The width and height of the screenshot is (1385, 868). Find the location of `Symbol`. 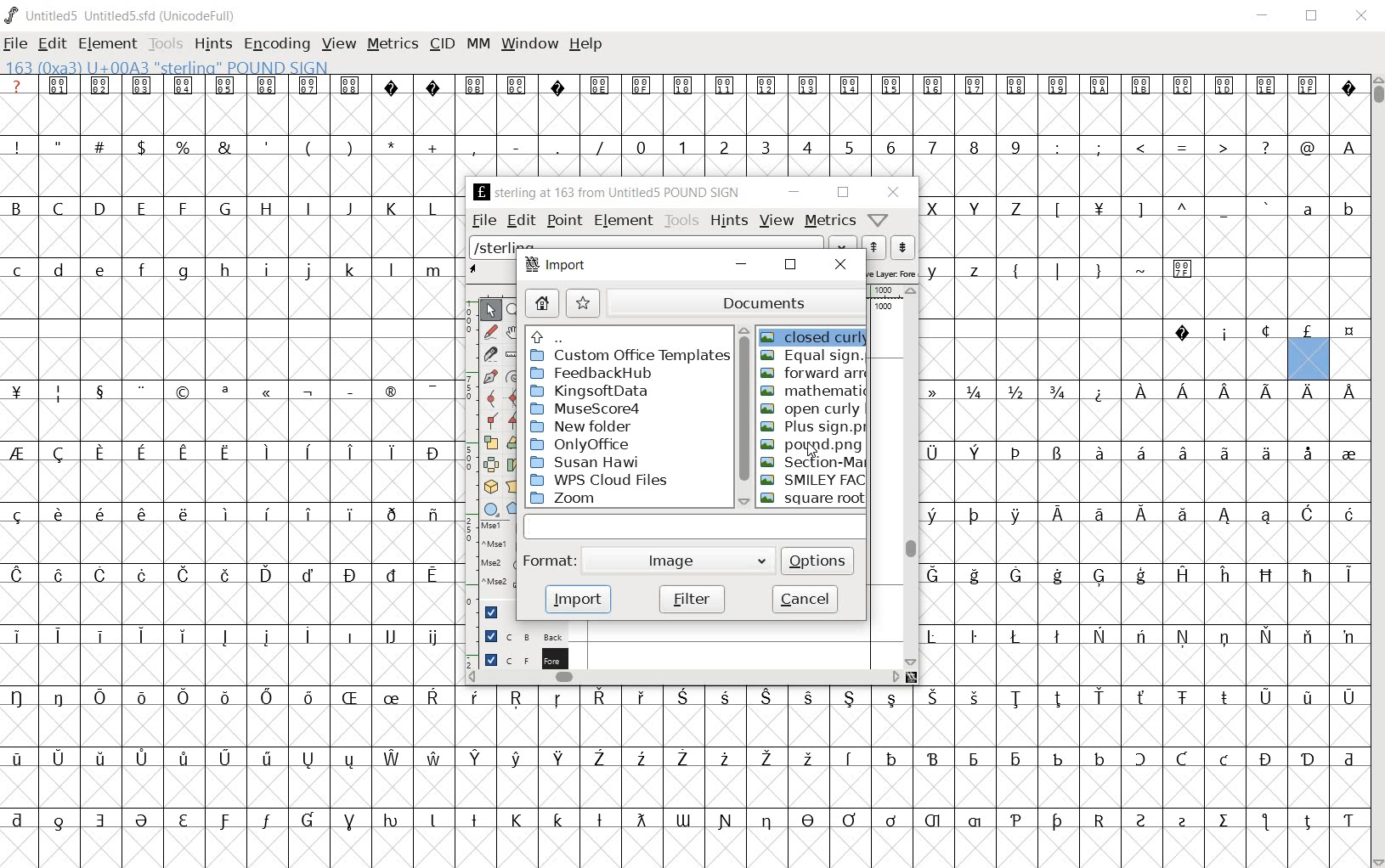

Symbol is located at coordinates (101, 454).